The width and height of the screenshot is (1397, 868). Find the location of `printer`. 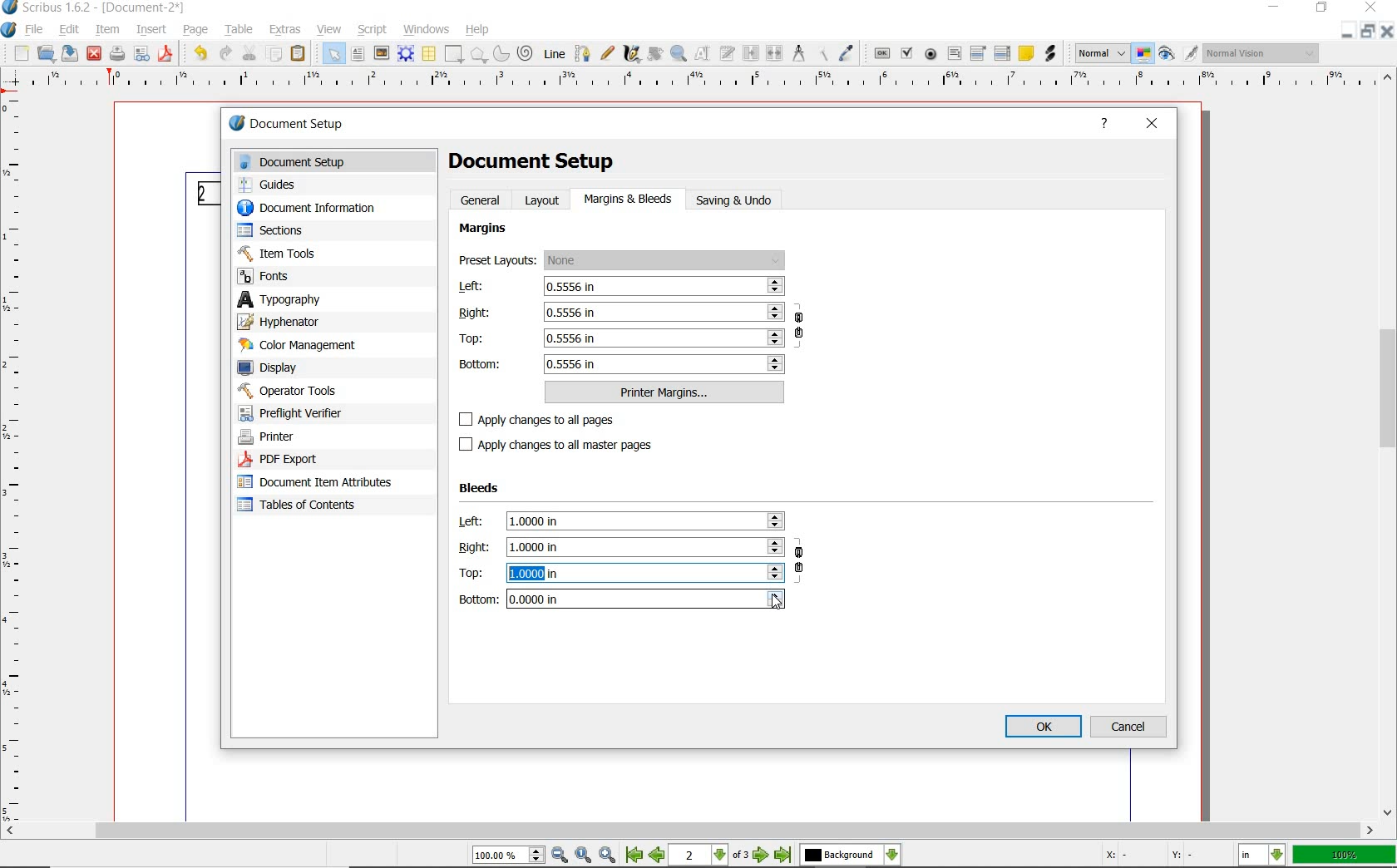

printer is located at coordinates (269, 436).